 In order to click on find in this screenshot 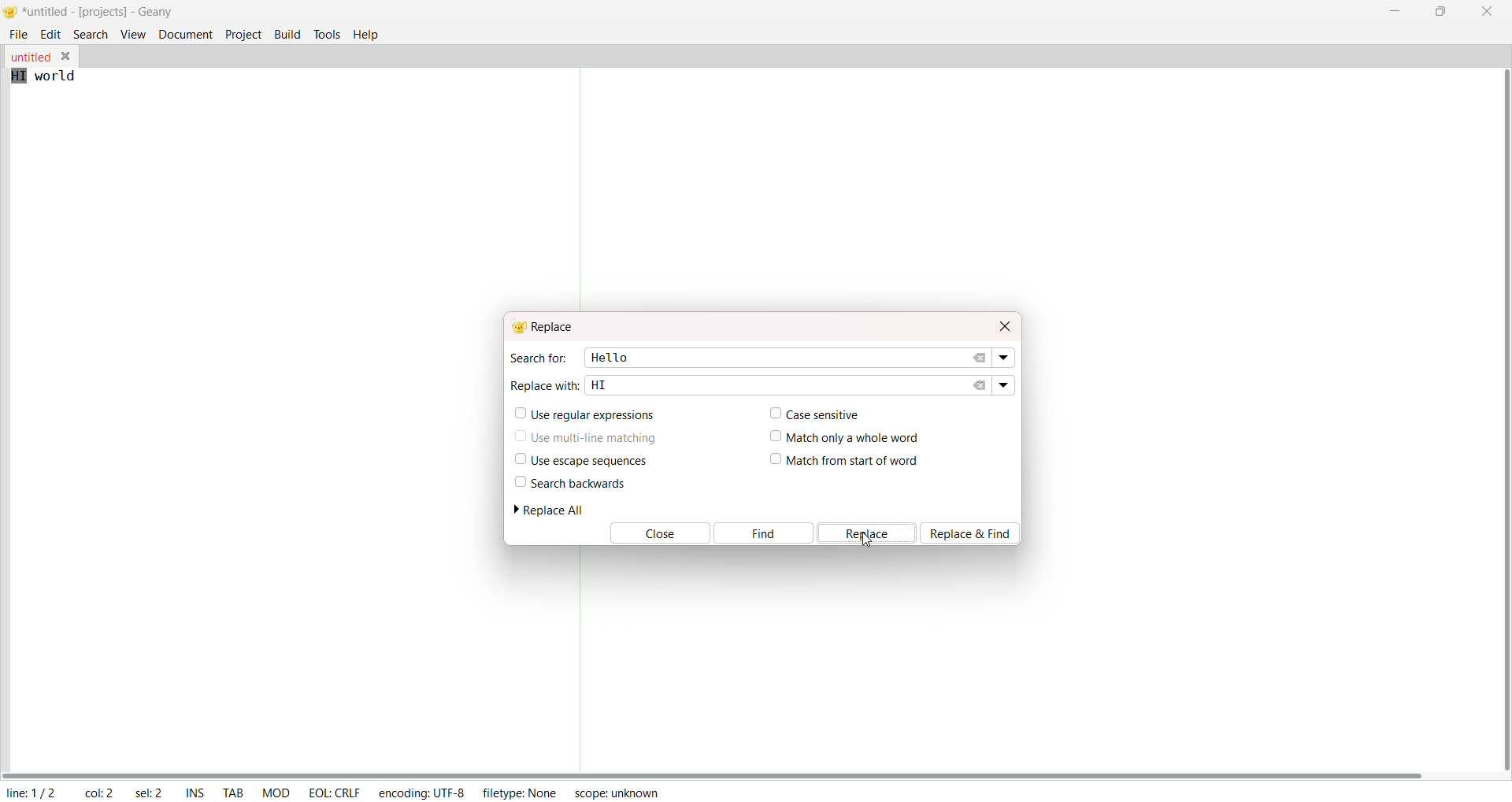, I will do `click(763, 533)`.